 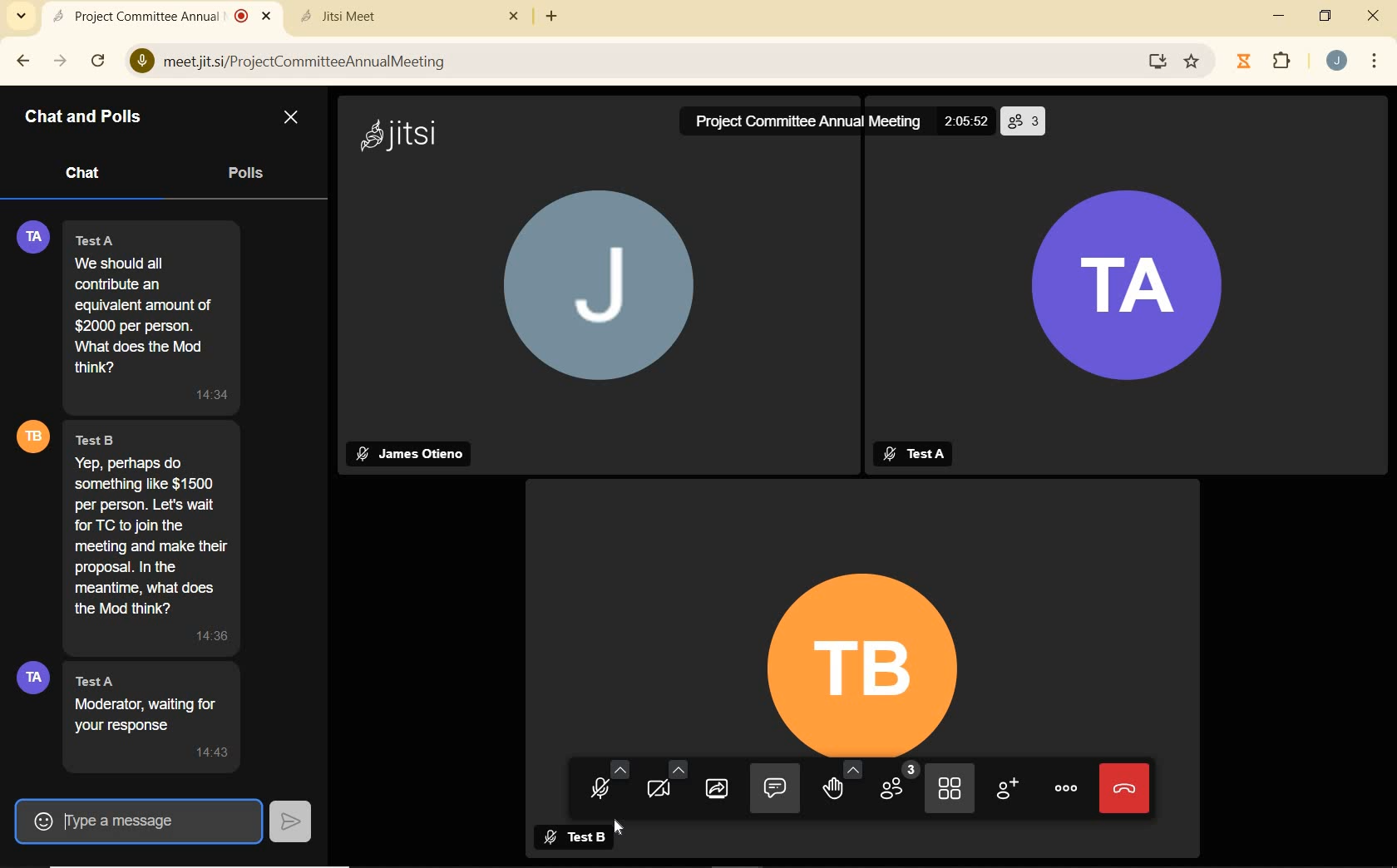 I want to click on raise hand, so click(x=845, y=789).